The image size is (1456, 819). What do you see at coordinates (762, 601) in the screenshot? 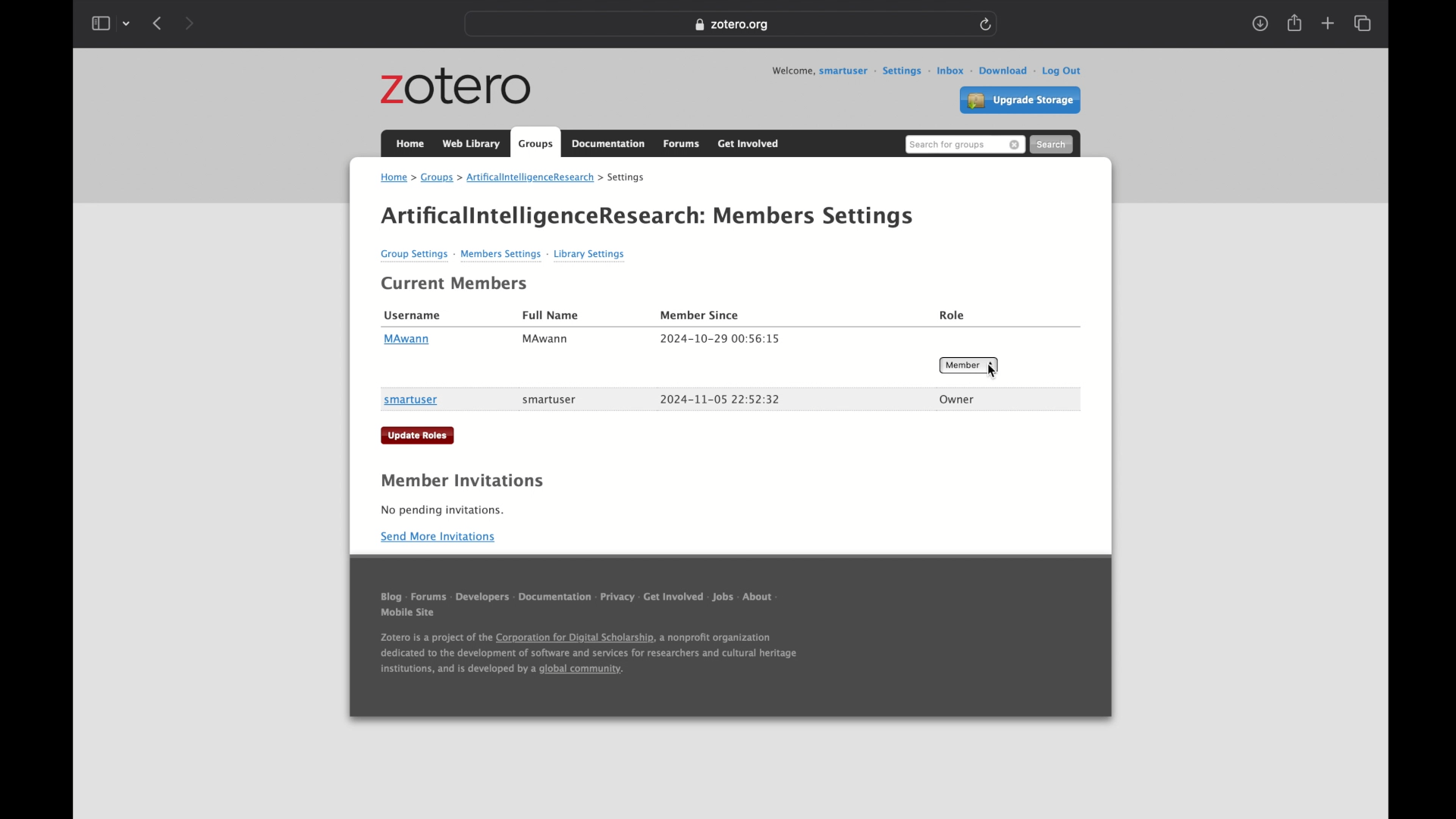
I see `about` at bounding box center [762, 601].